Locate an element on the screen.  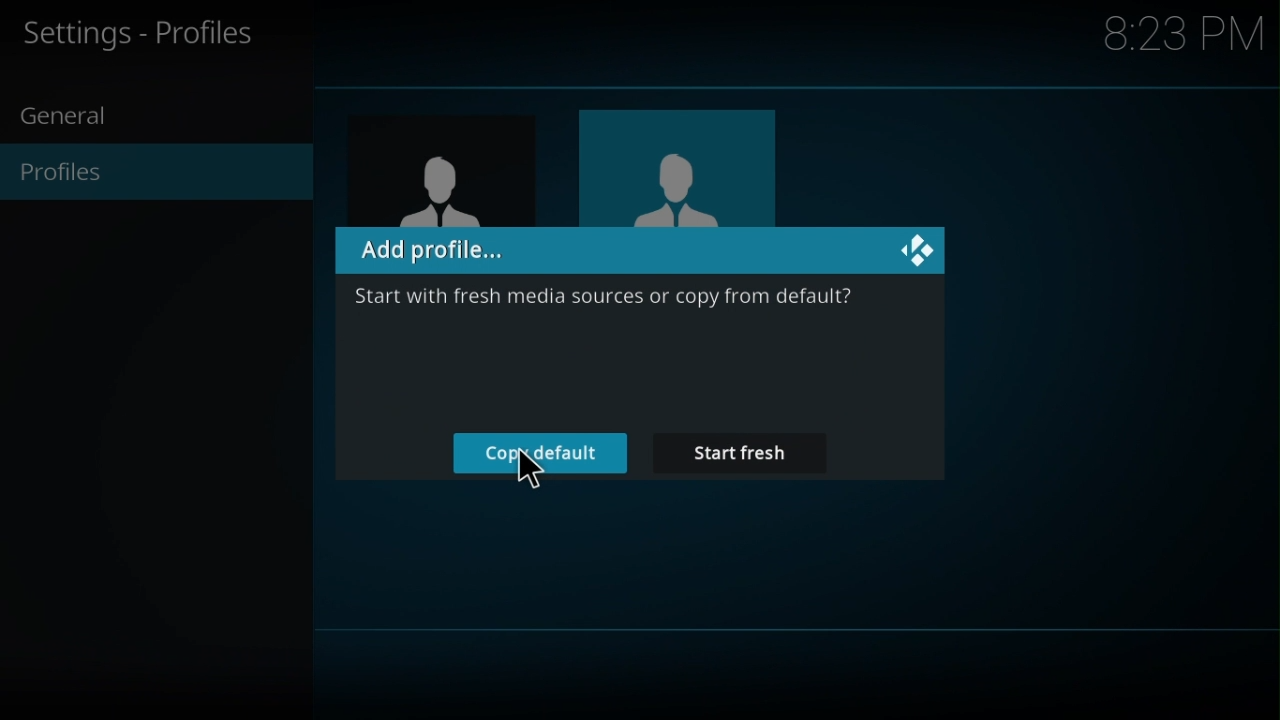
Start fresh is located at coordinates (738, 453).